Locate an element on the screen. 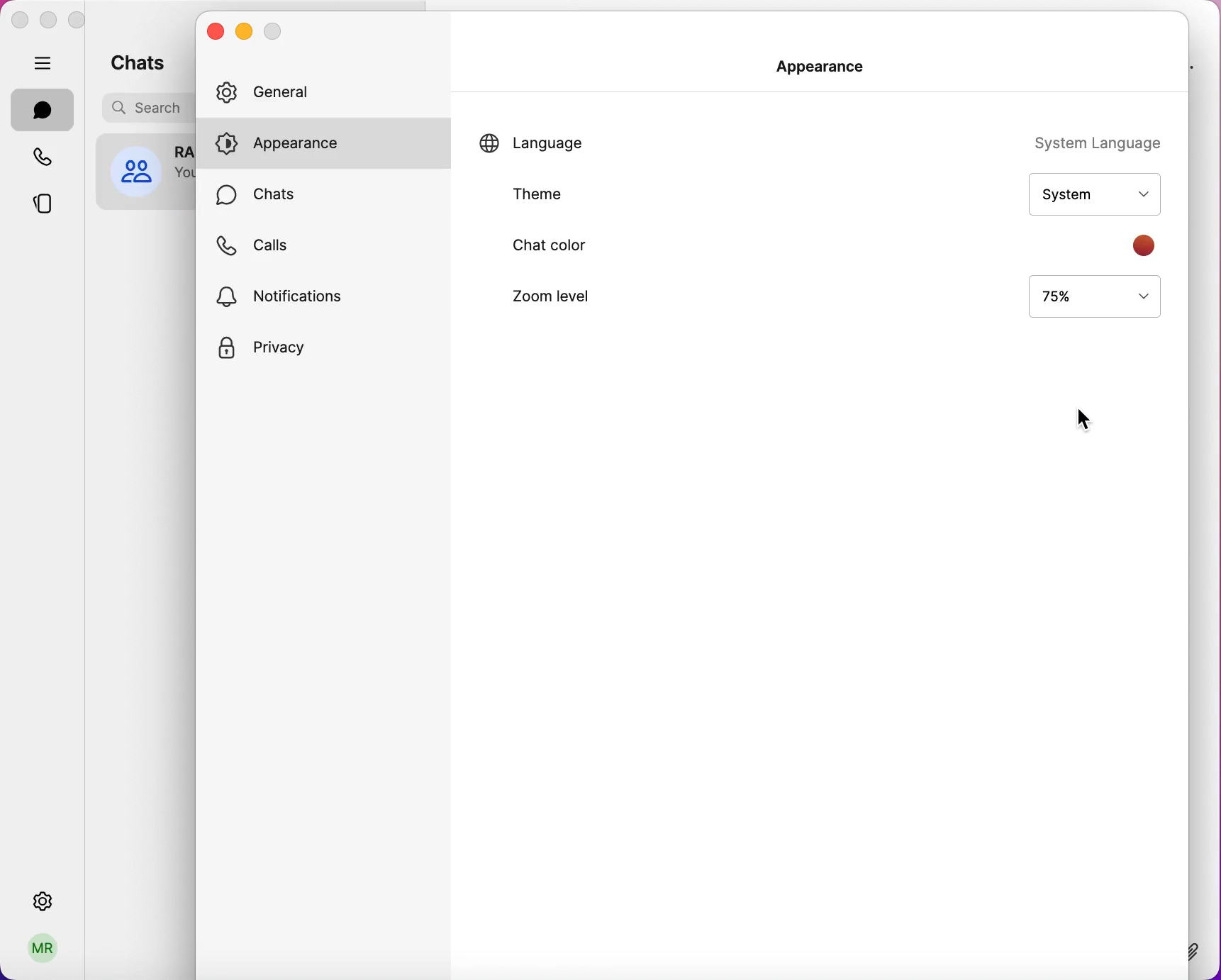 This screenshot has height=980, width=1221. general is located at coordinates (308, 88).